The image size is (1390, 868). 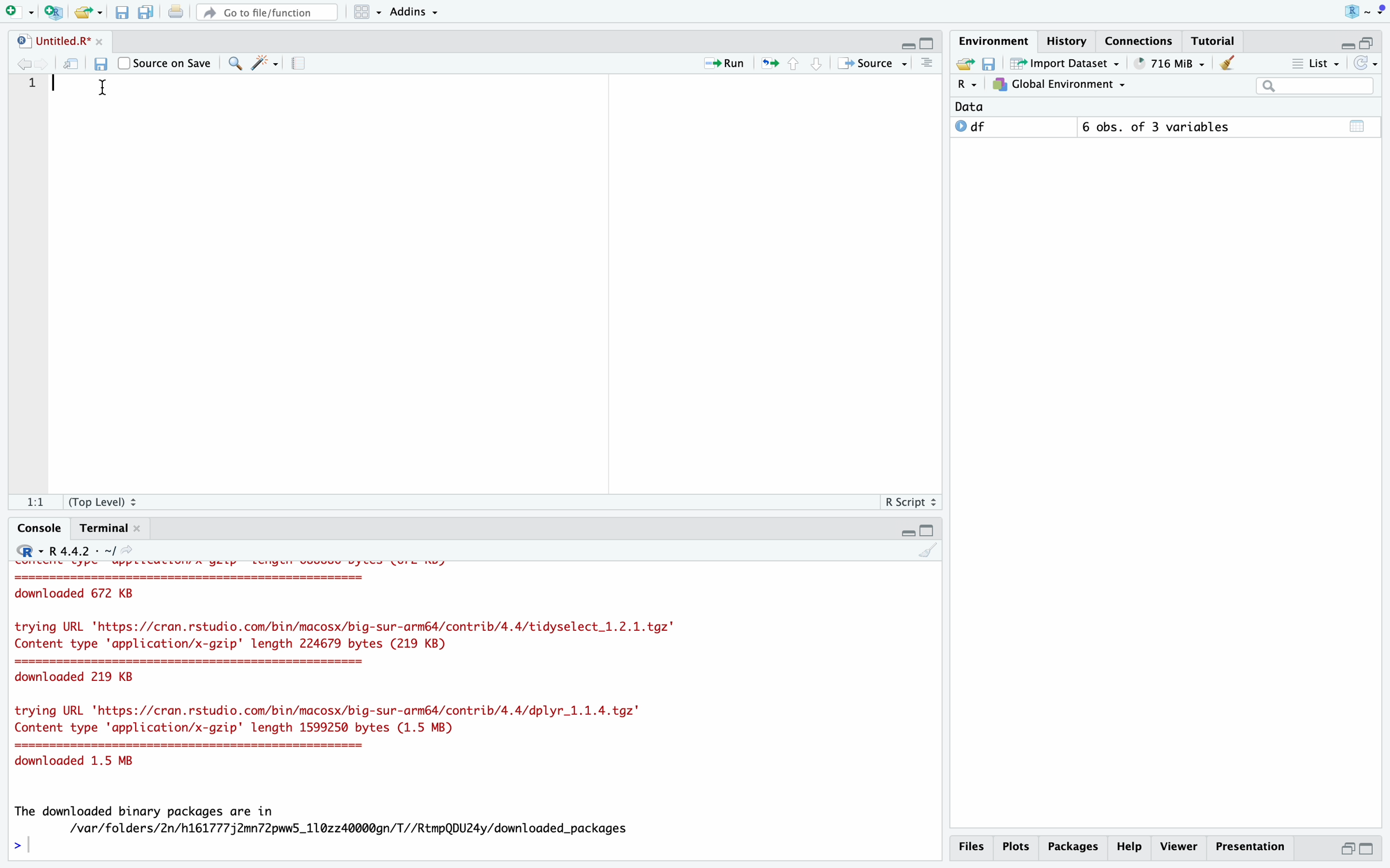 What do you see at coordinates (59, 40) in the screenshot?
I see `Untitled.R*` at bounding box center [59, 40].